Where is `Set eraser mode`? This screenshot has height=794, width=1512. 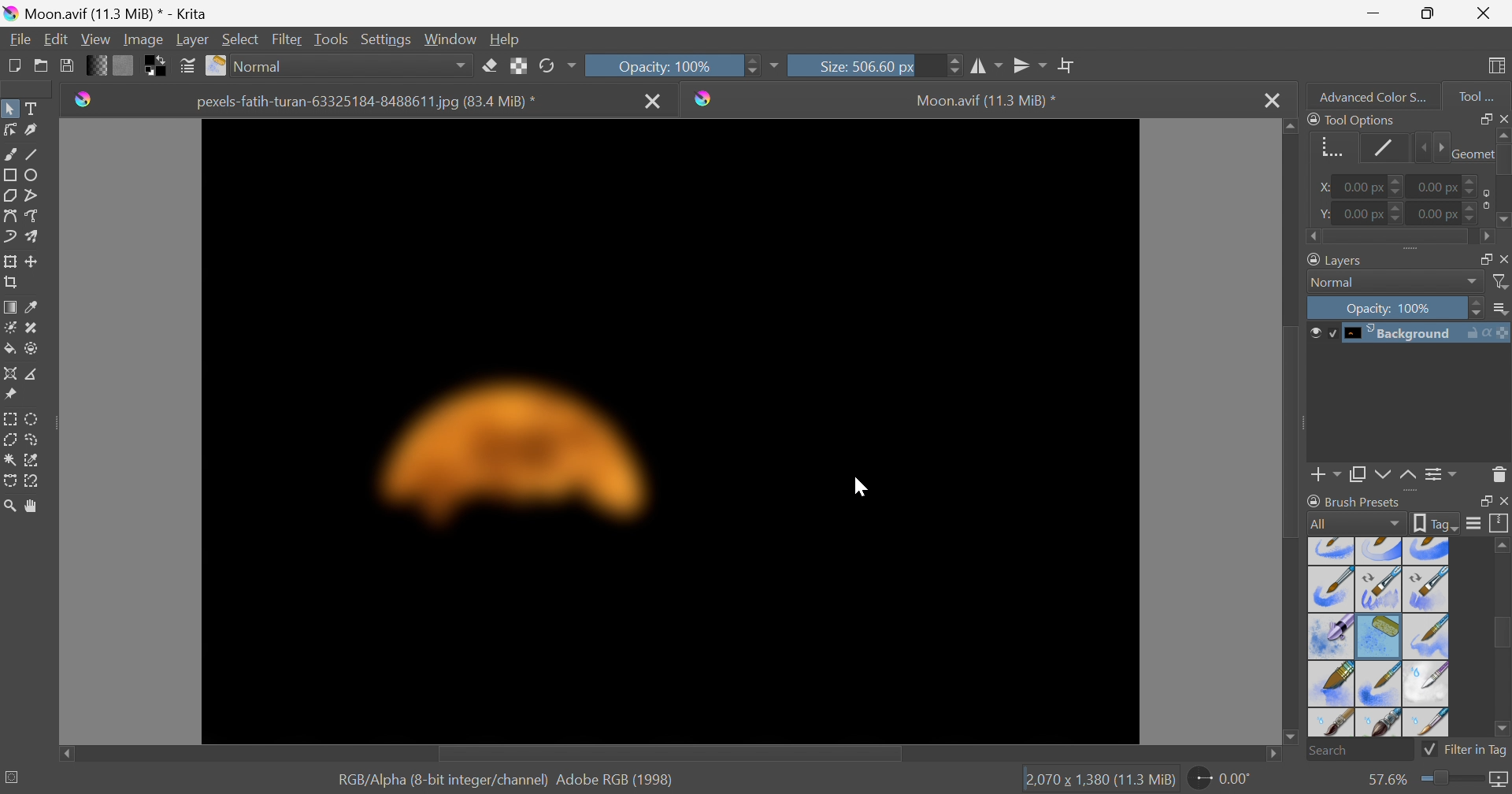 Set eraser mode is located at coordinates (491, 65).